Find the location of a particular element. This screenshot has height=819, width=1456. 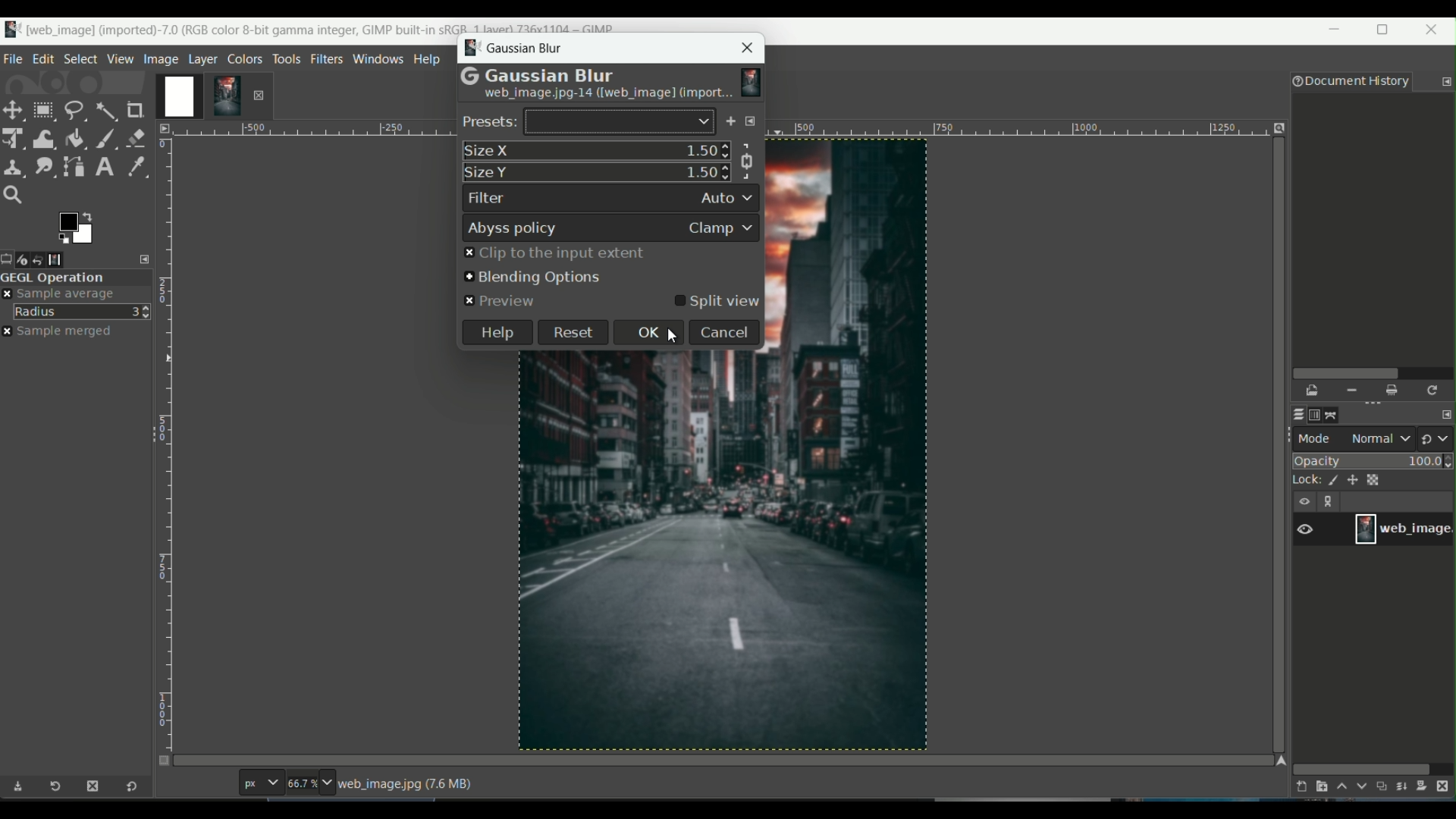

device status is located at coordinates (28, 259).